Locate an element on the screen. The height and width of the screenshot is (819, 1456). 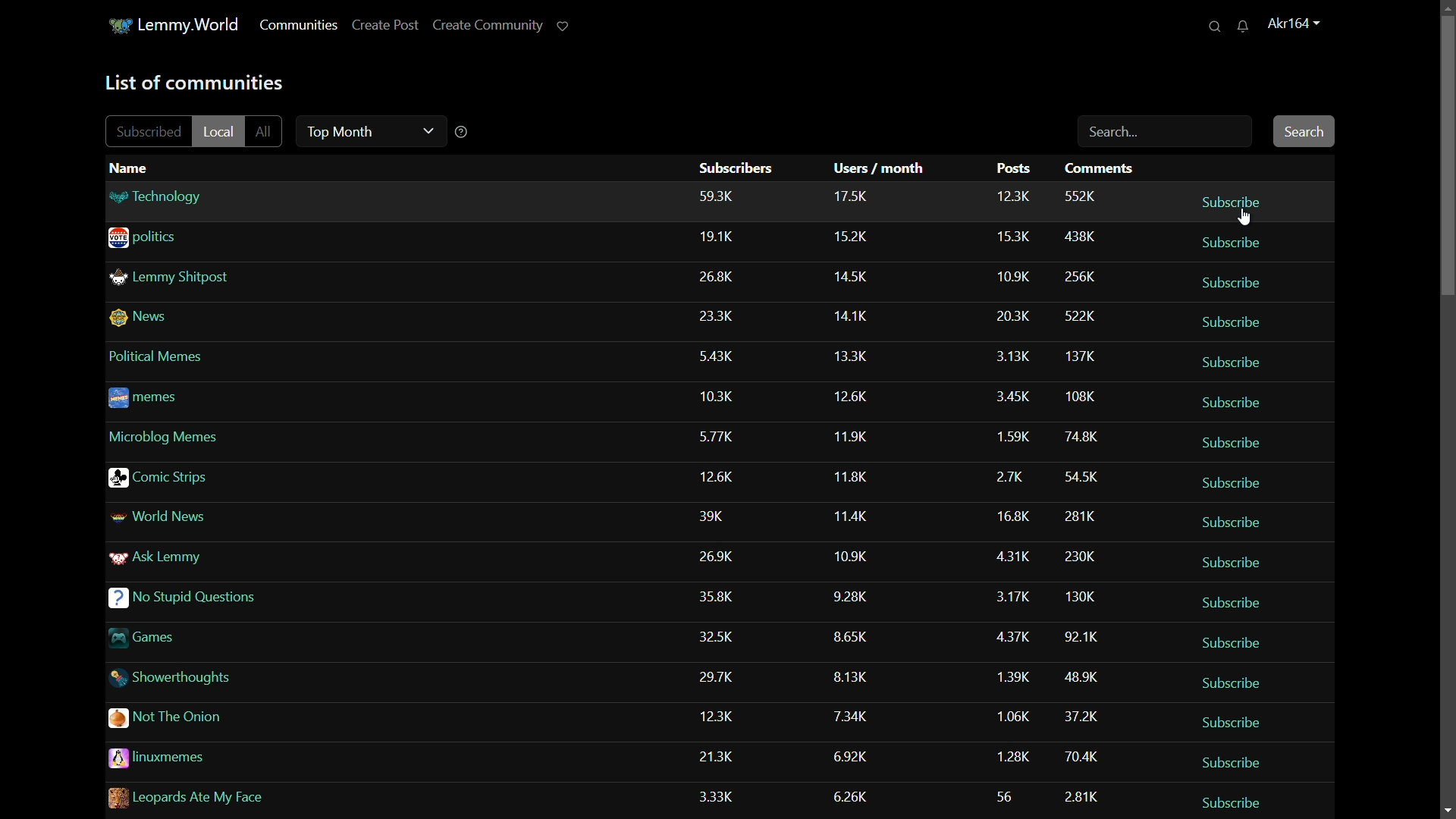
subscribers is located at coordinates (720, 557).